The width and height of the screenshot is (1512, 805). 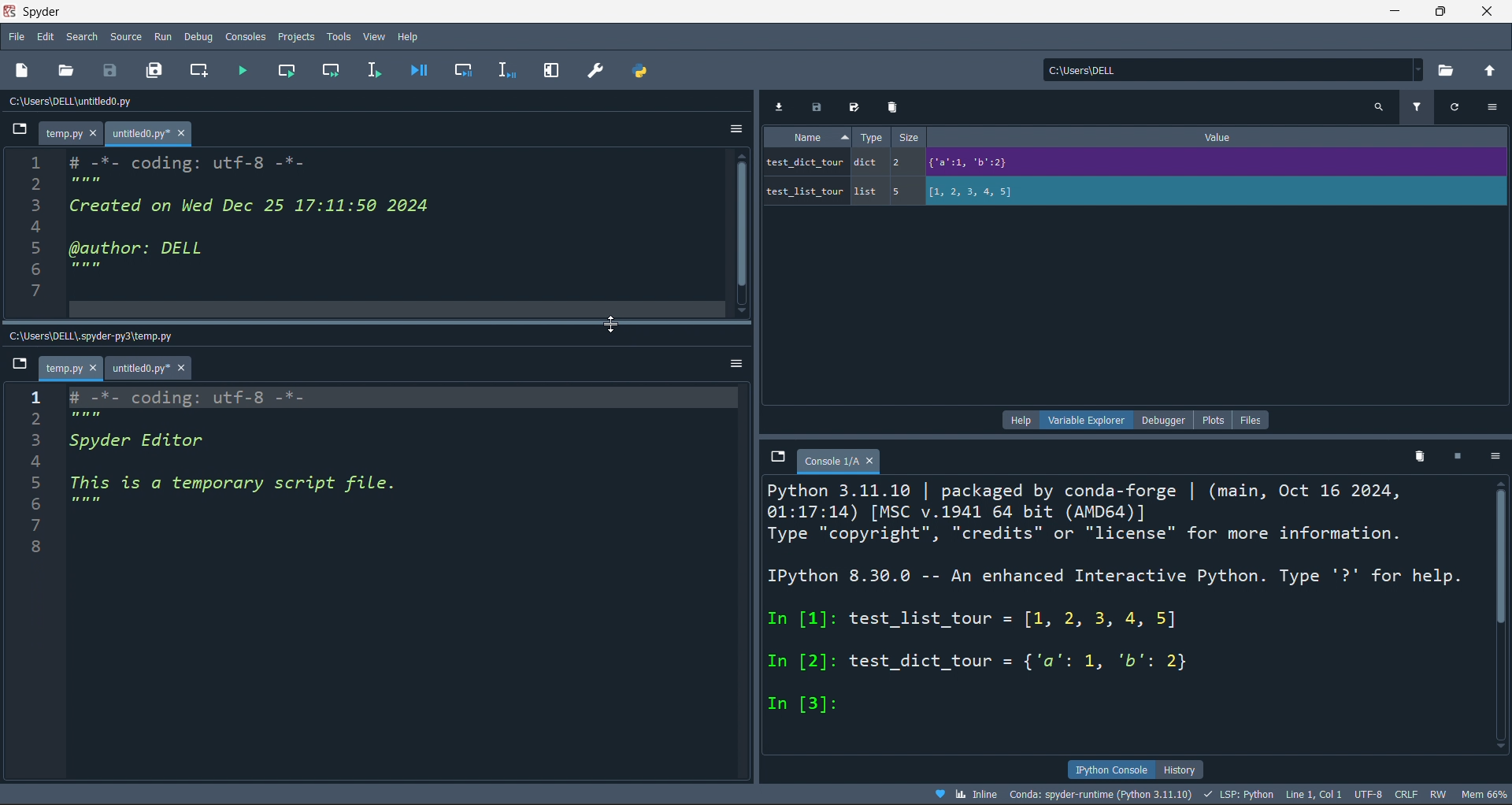 I want to click on run, so click(x=162, y=36).